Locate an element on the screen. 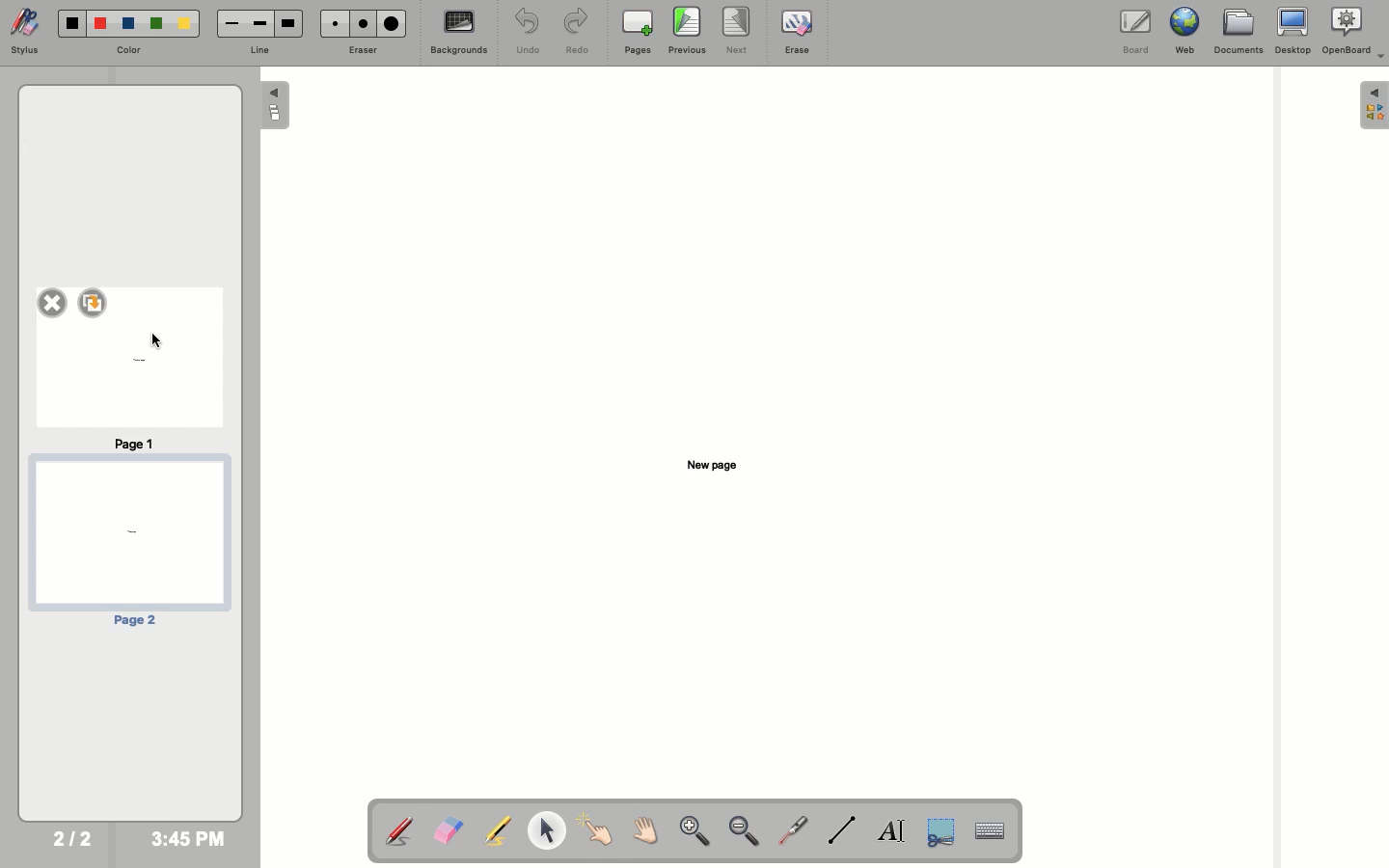  Small line is located at coordinates (232, 24).